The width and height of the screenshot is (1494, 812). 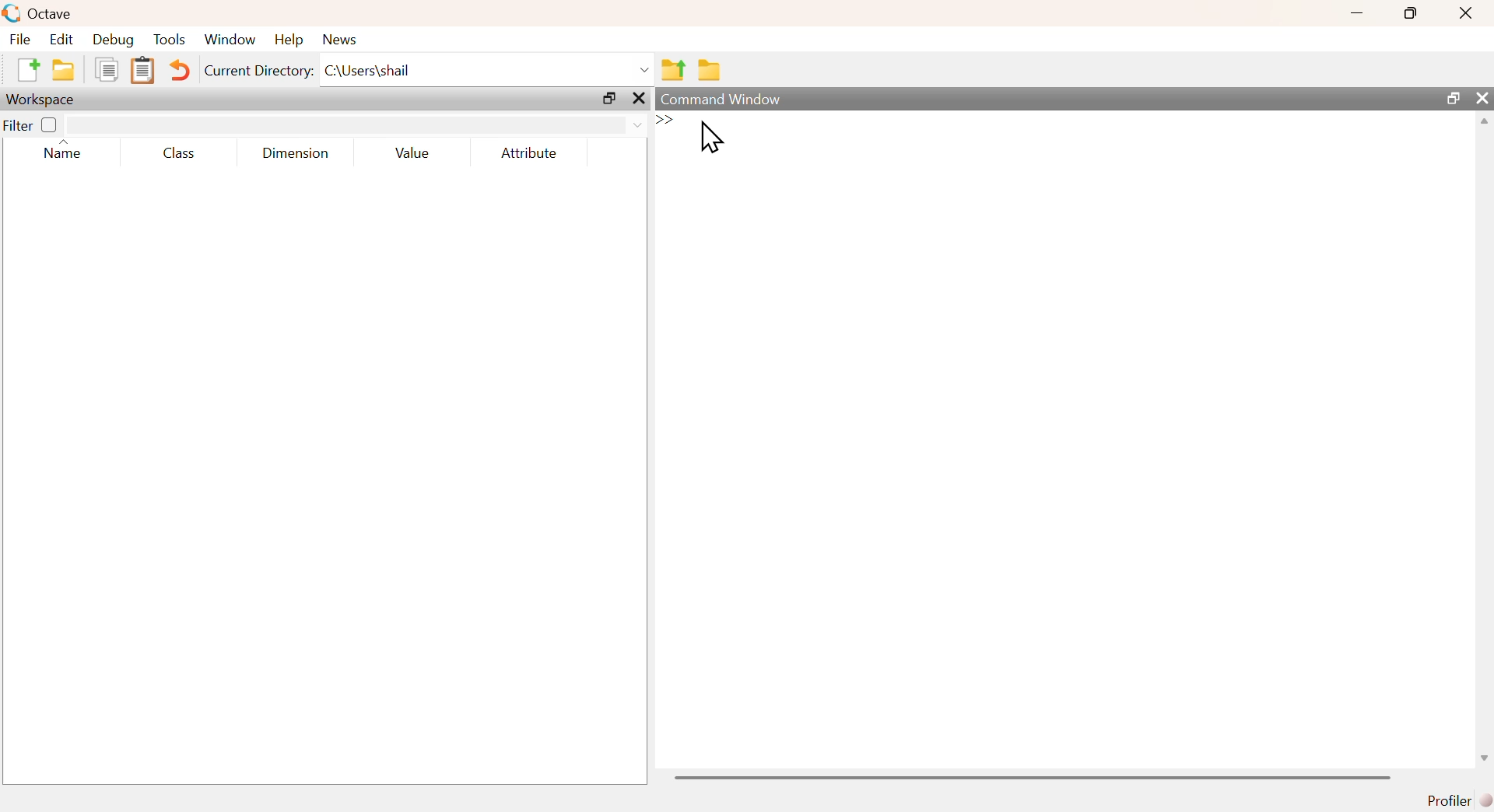 What do you see at coordinates (822, 134) in the screenshot?
I see `commands` at bounding box center [822, 134].